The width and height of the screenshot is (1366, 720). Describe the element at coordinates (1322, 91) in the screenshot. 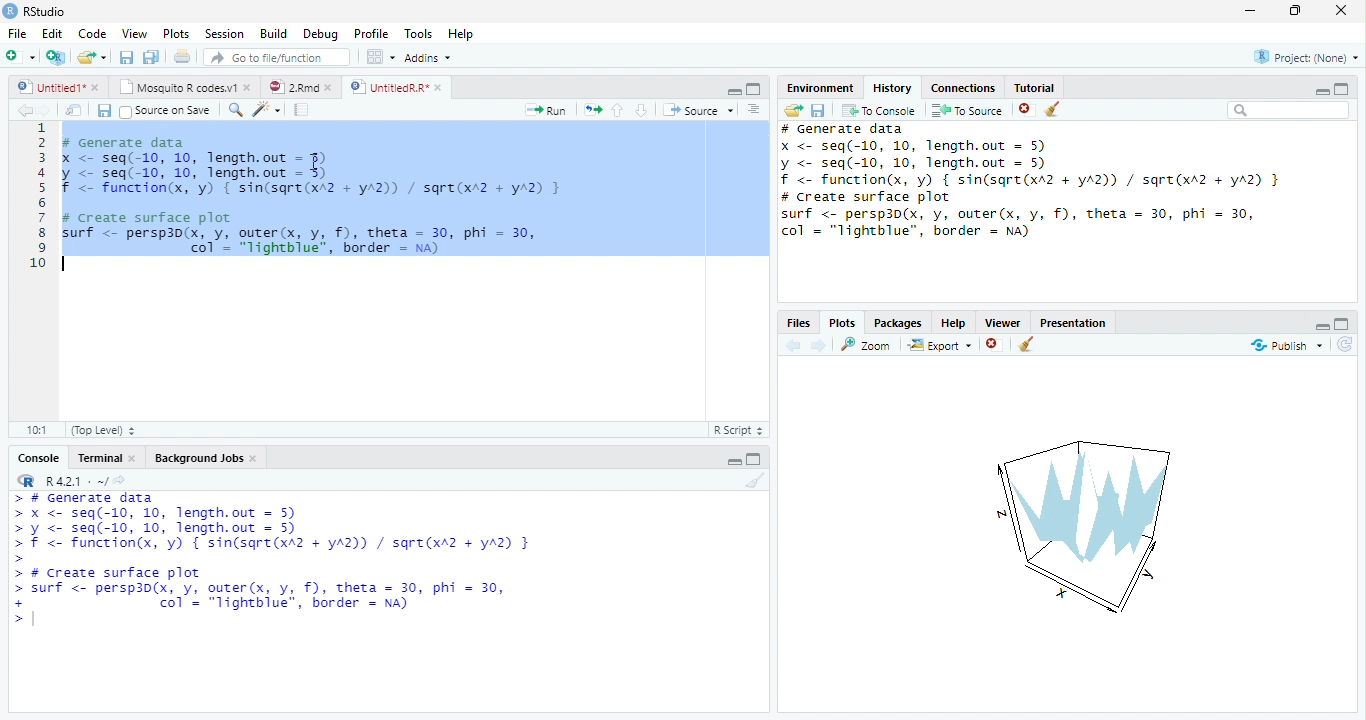

I see `minimize` at that location.